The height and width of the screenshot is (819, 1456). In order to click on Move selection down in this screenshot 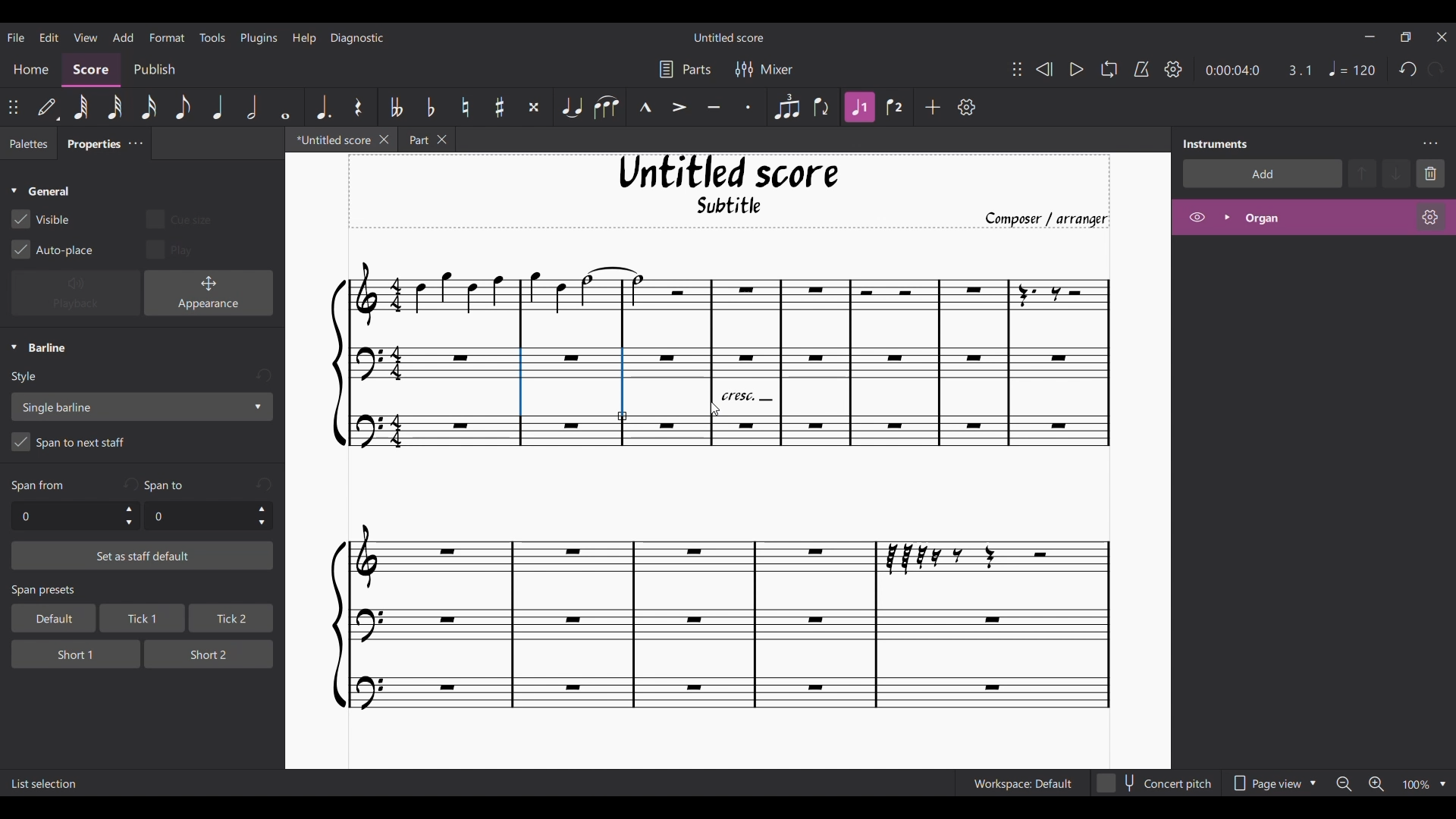, I will do `click(1398, 174)`.